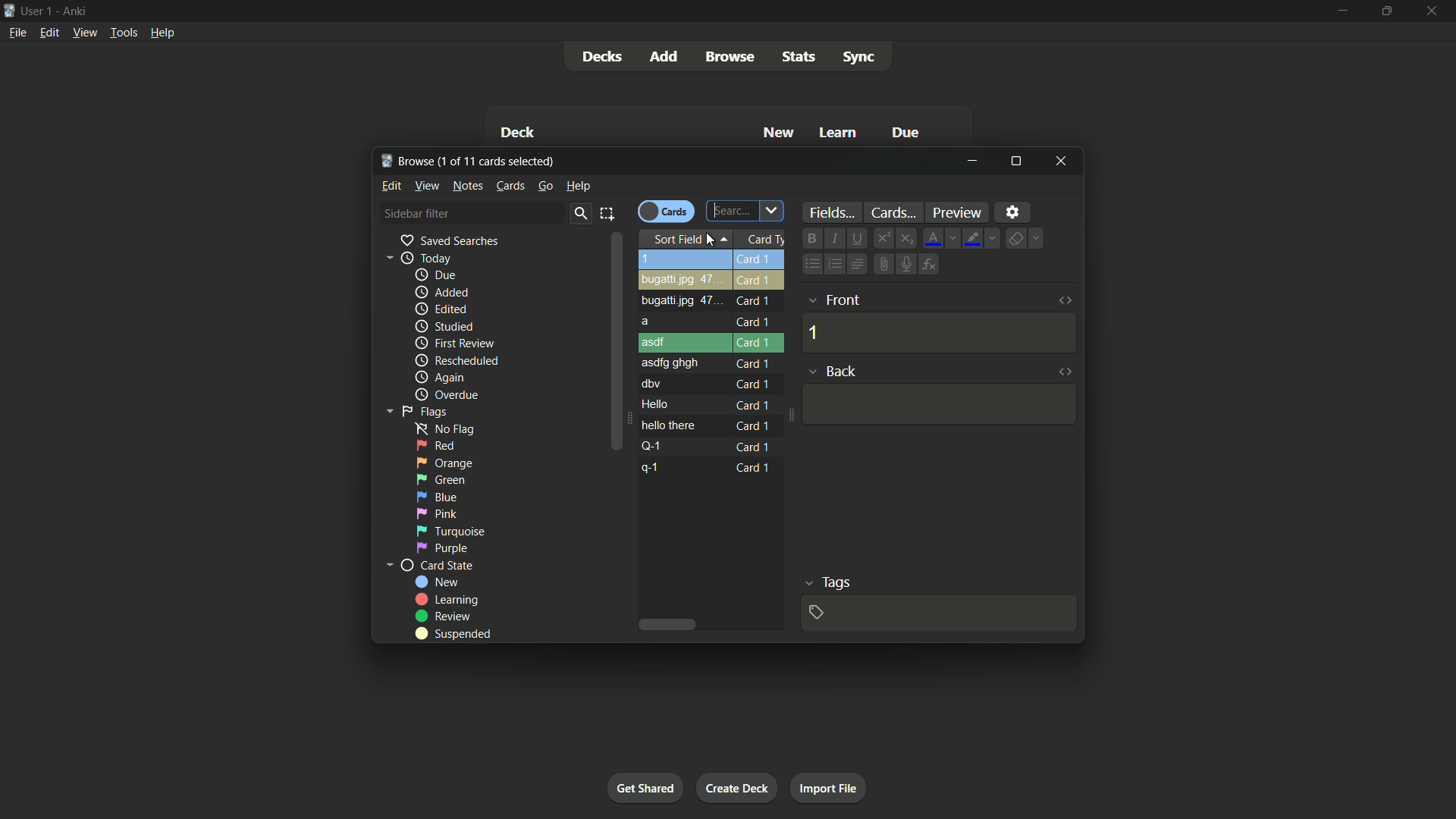 The width and height of the screenshot is (1456, 819). What do you see at coordinates (834, 582) in the screenshot?
I see `tags` at bounding box center [834, 582].